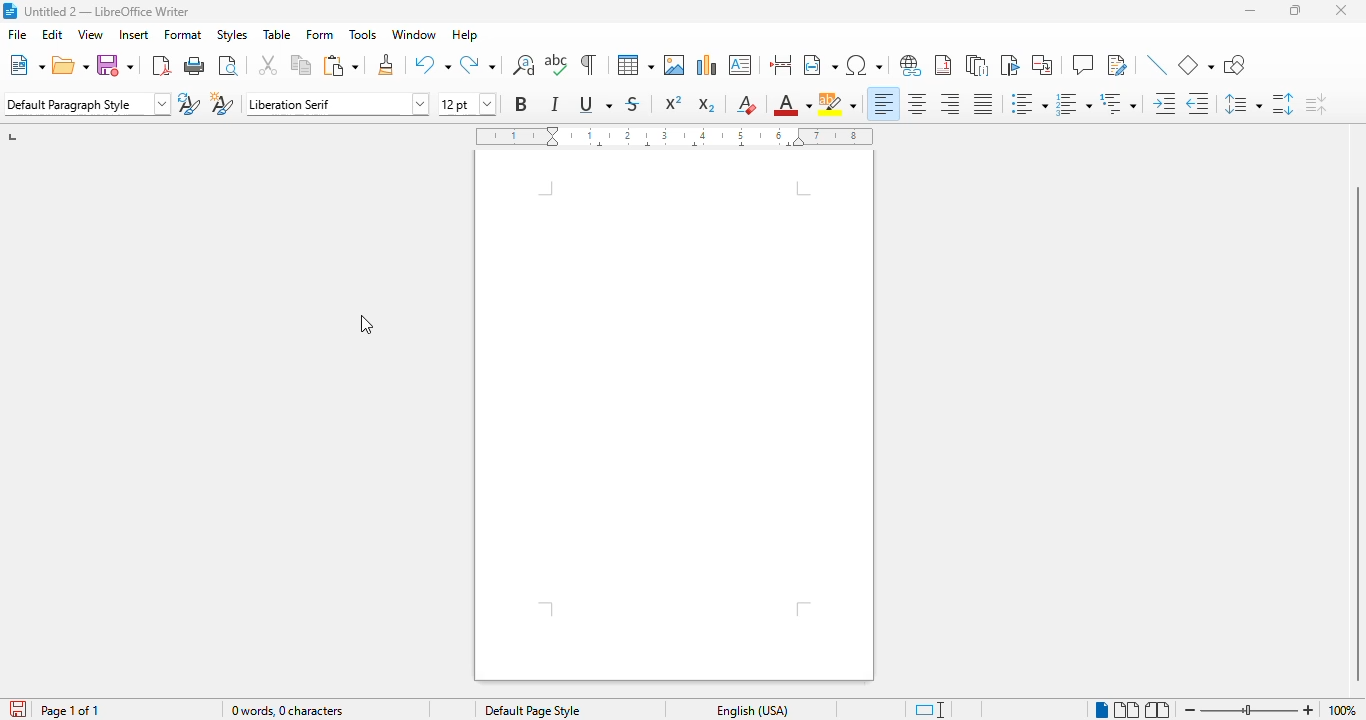 This screenshot has height=720, width=1366. I want to click on export directly as PDF, so click(162, 66).